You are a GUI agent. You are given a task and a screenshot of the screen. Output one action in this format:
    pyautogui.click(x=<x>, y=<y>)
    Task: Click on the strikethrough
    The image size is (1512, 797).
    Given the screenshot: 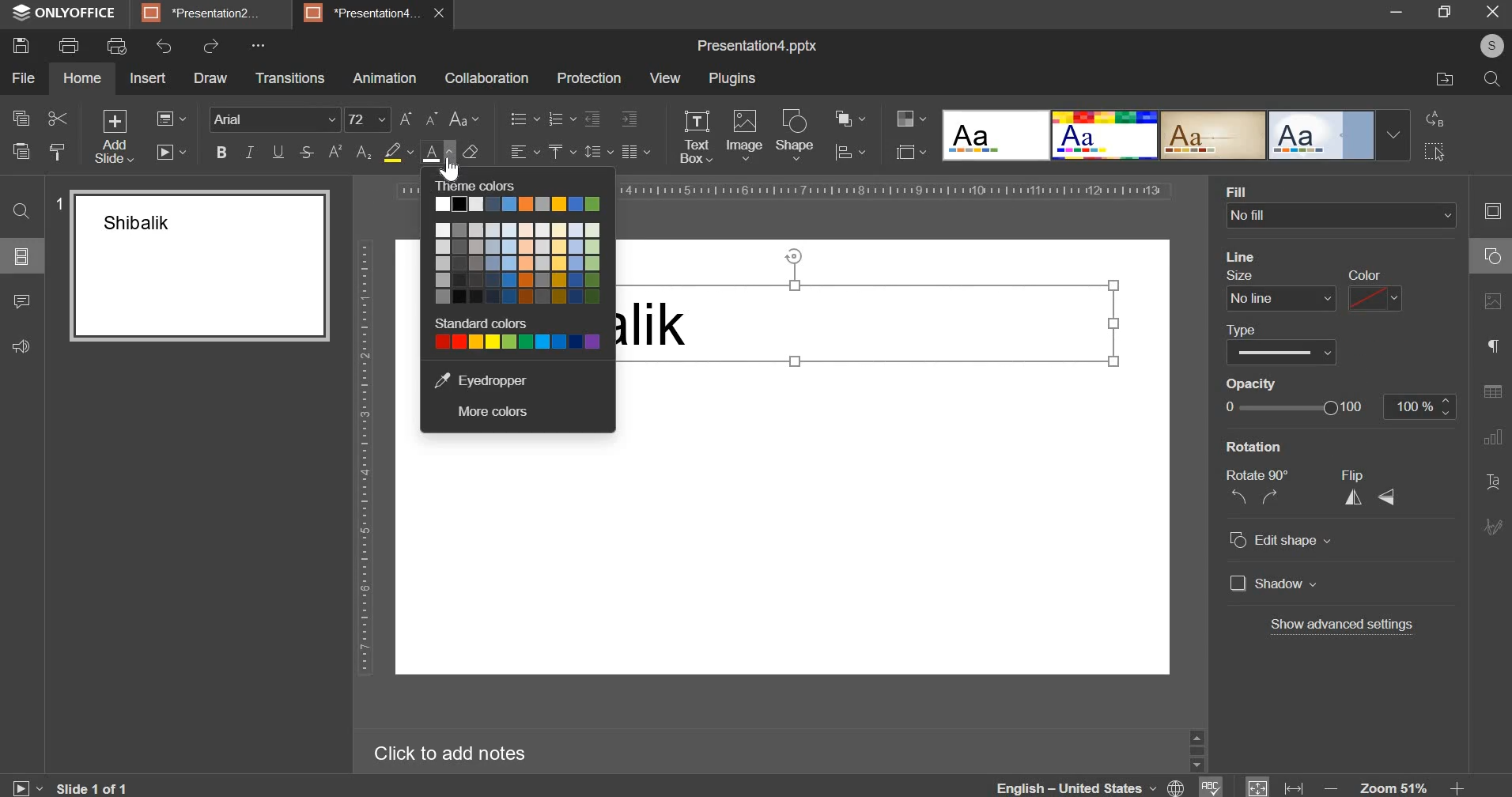 What is the action you would take?
    pyautogui.click(x=304, y=152)
    